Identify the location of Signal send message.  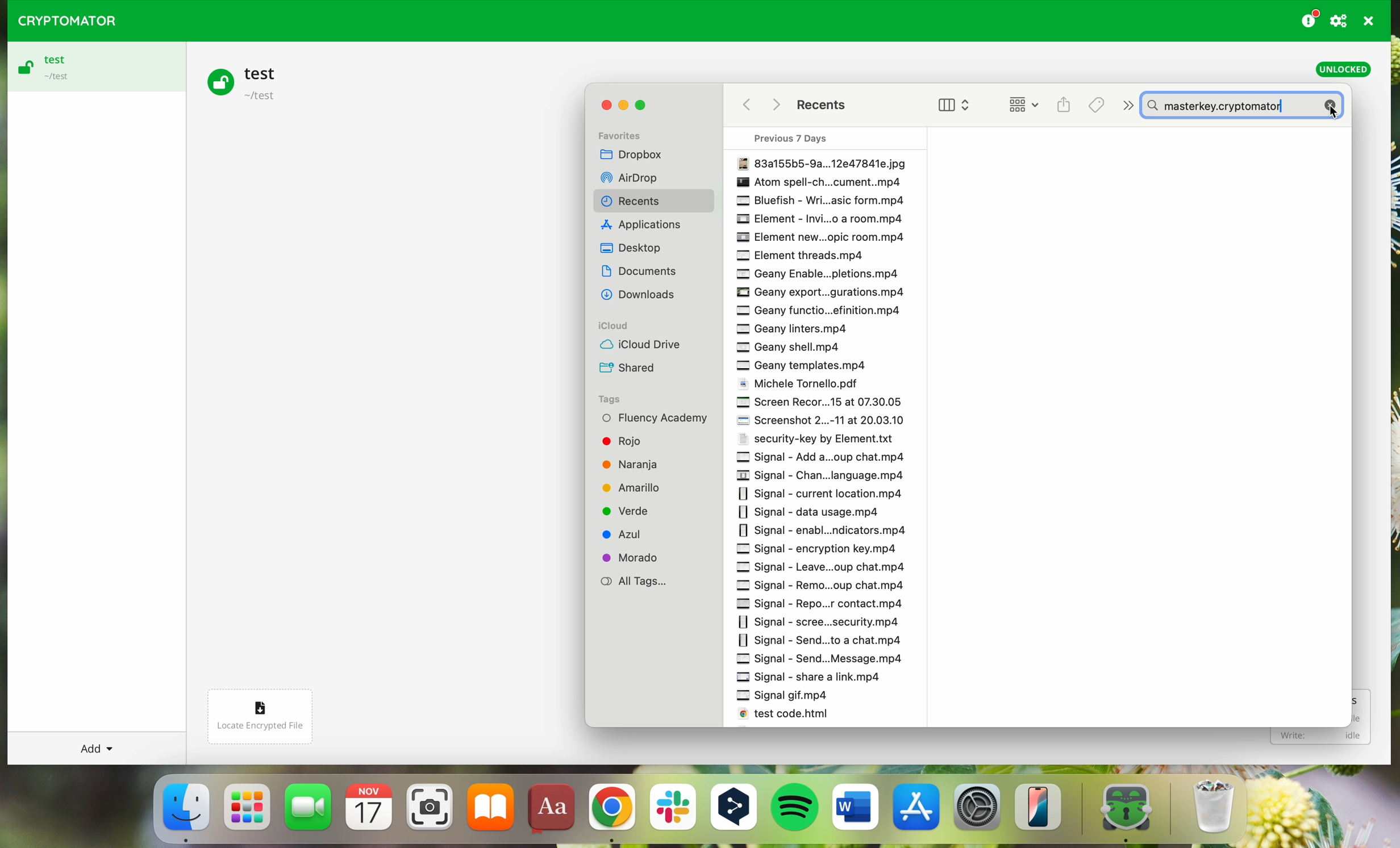
(824, 659).